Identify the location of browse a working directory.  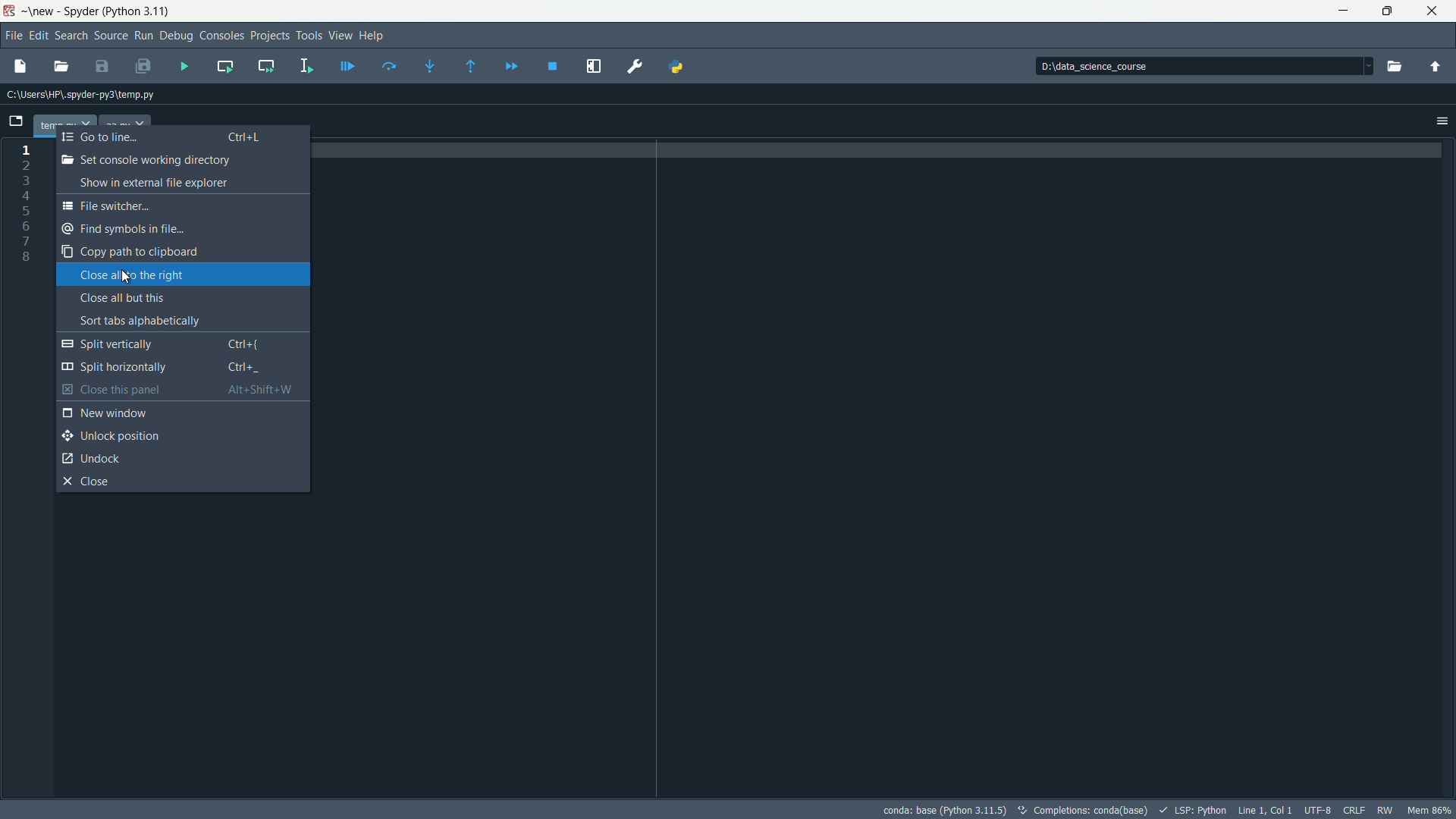
(1394, 65).